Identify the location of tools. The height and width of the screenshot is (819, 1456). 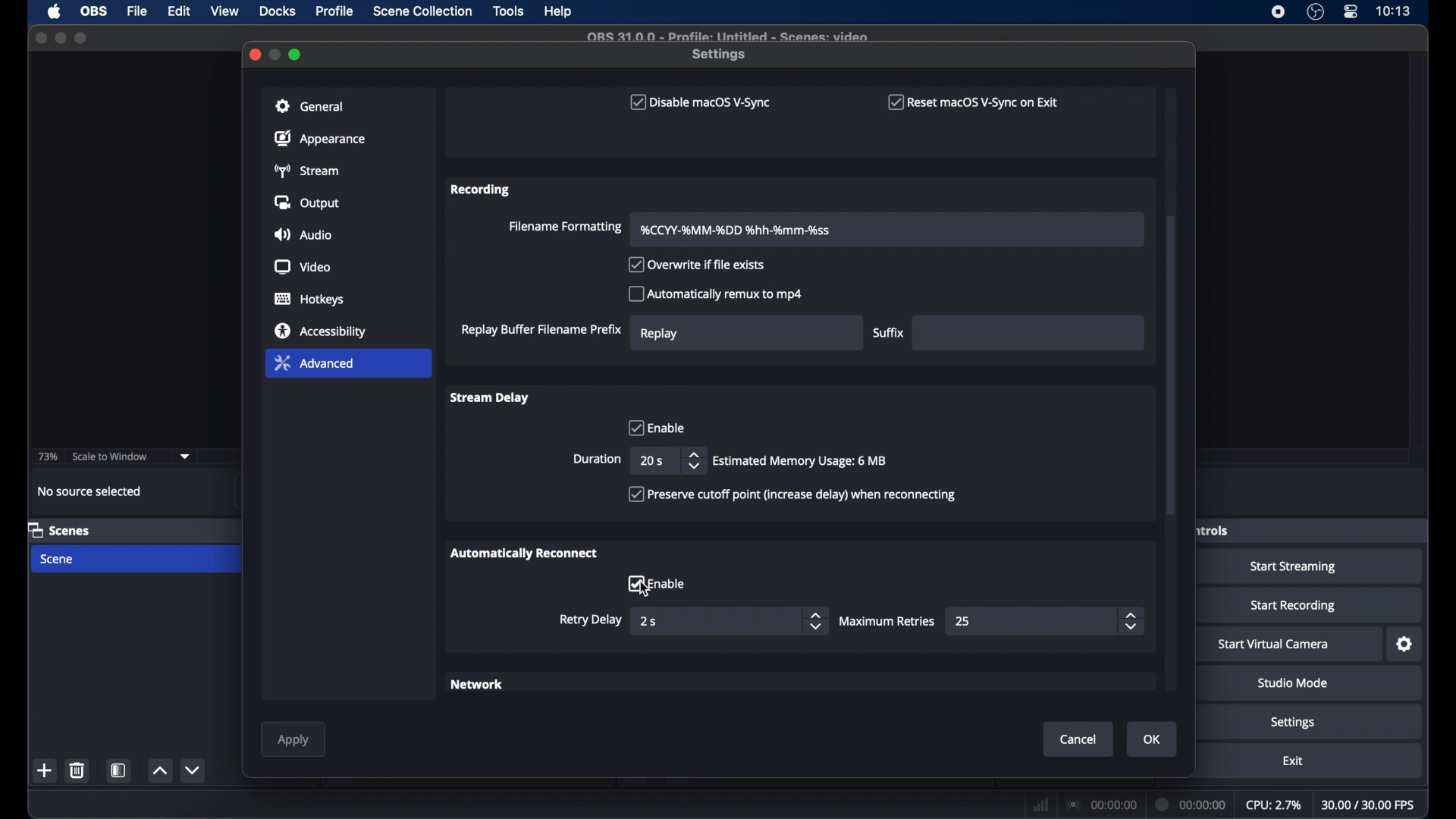
(509, 11).